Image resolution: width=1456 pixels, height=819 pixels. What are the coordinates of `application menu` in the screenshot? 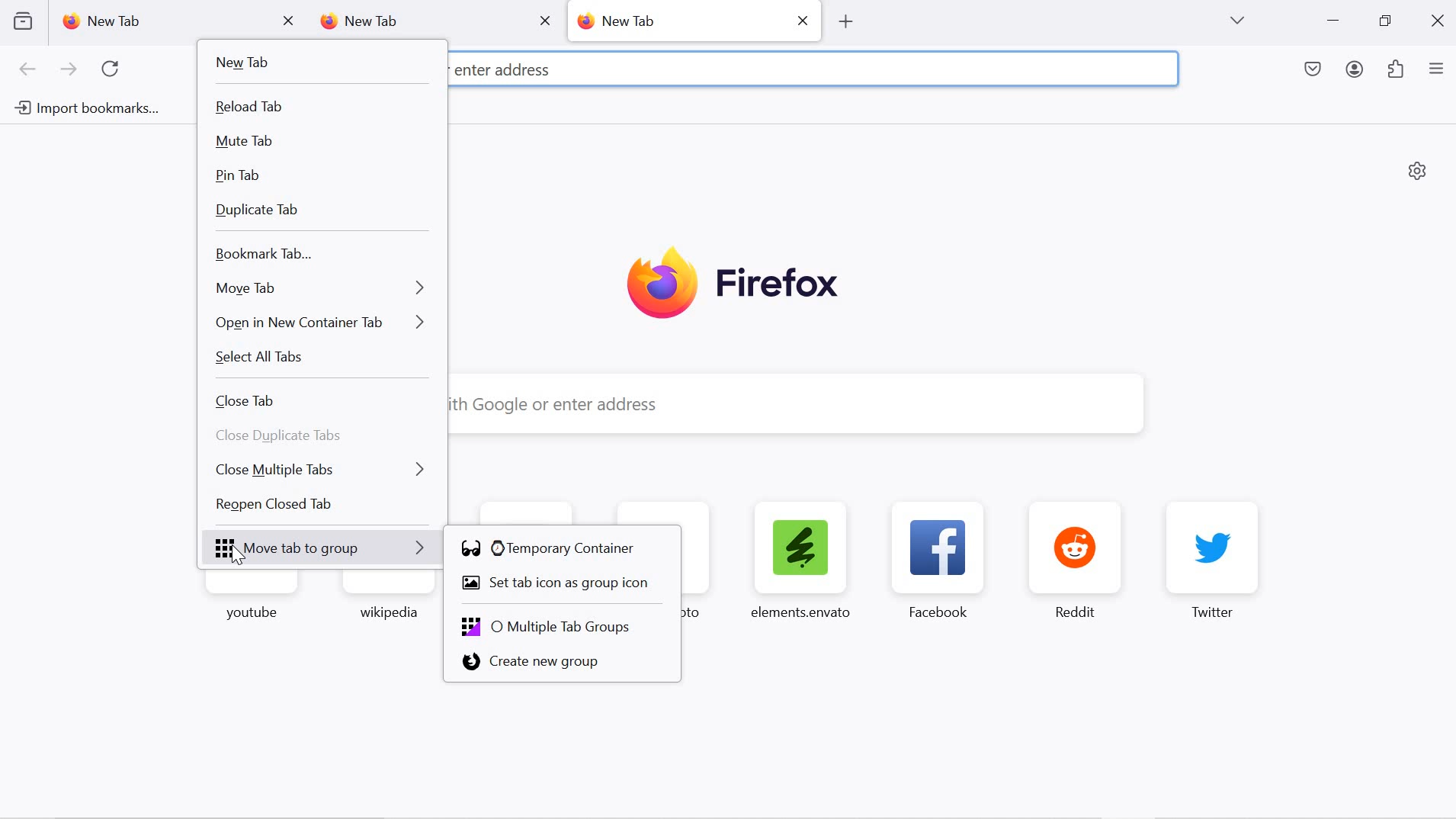 It's located at (1436, 70).